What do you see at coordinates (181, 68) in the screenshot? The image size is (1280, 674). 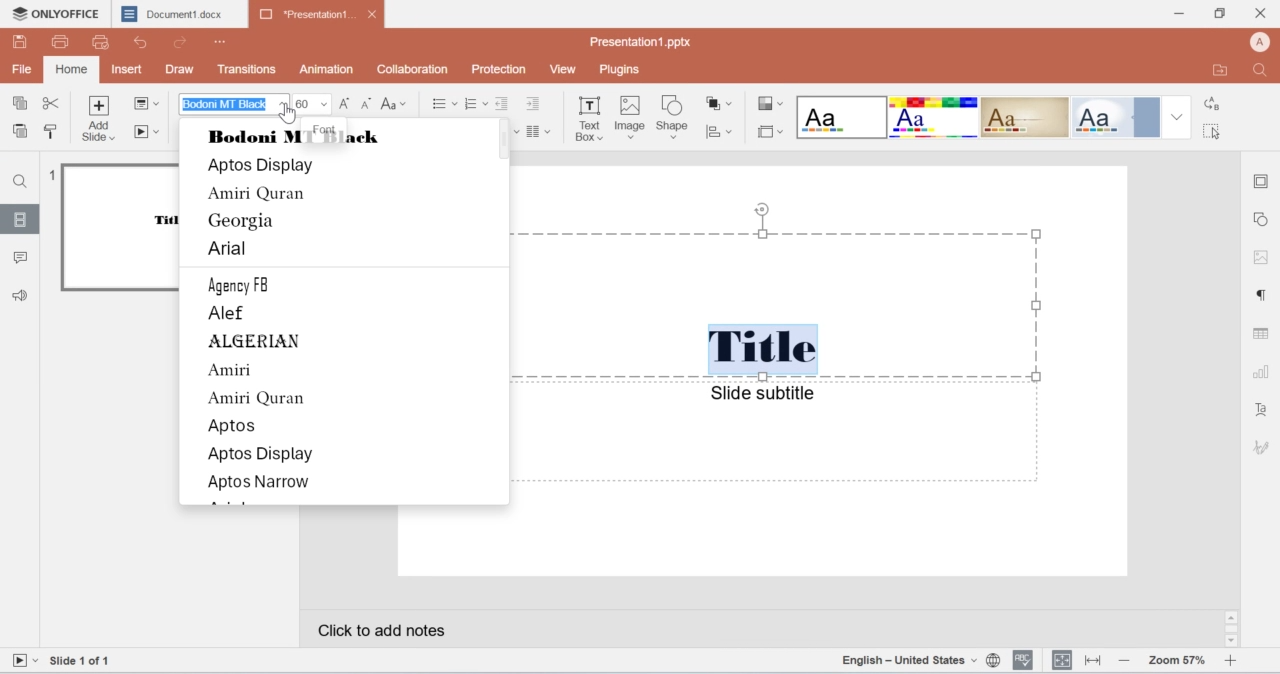 I see `draw` at bounding box center [181, 68].